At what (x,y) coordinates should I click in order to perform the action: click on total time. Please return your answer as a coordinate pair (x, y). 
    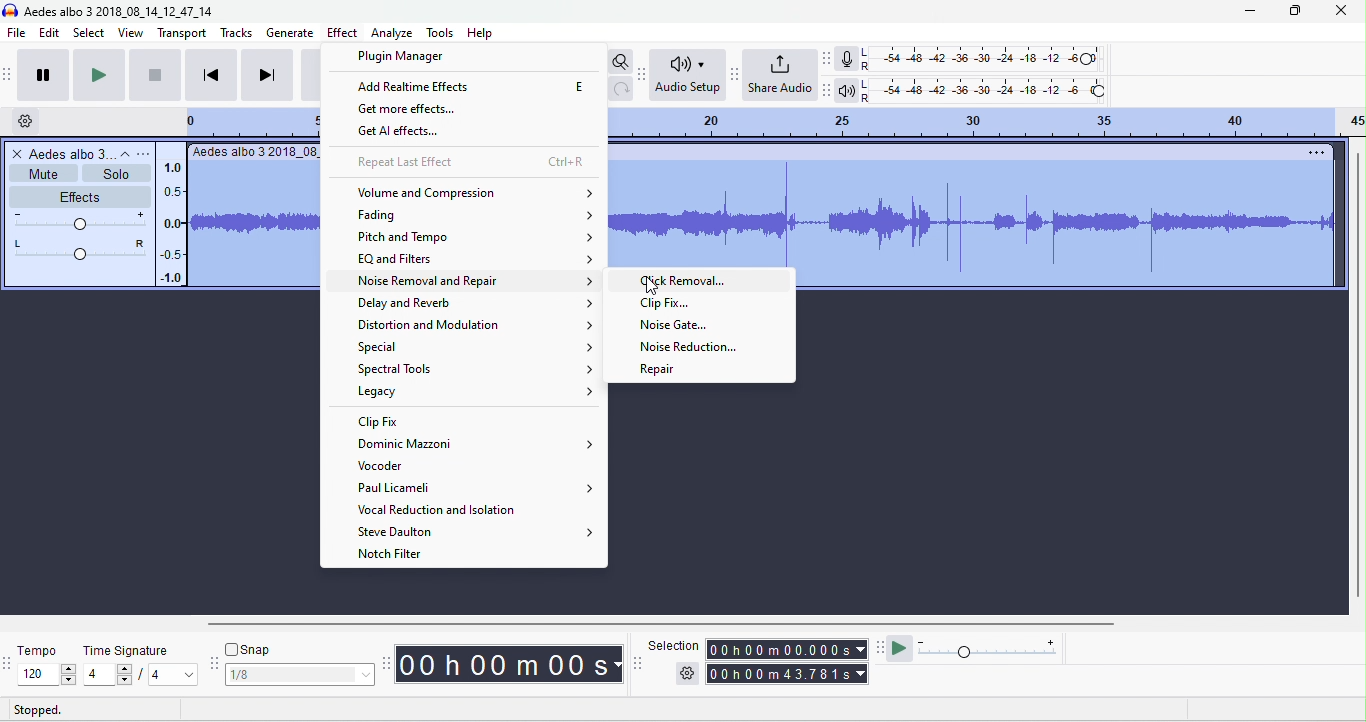
    Looking at the image, I should click on (785, 674).